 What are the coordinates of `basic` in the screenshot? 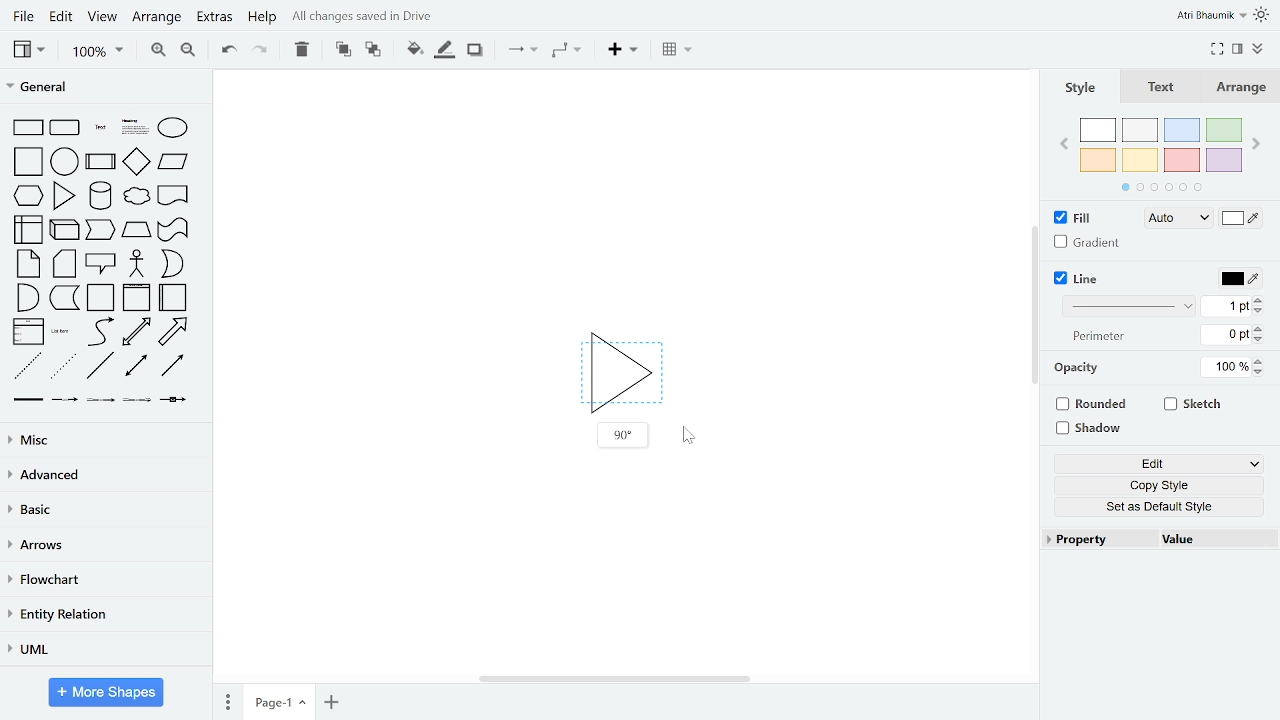 It's located at (103, 511).